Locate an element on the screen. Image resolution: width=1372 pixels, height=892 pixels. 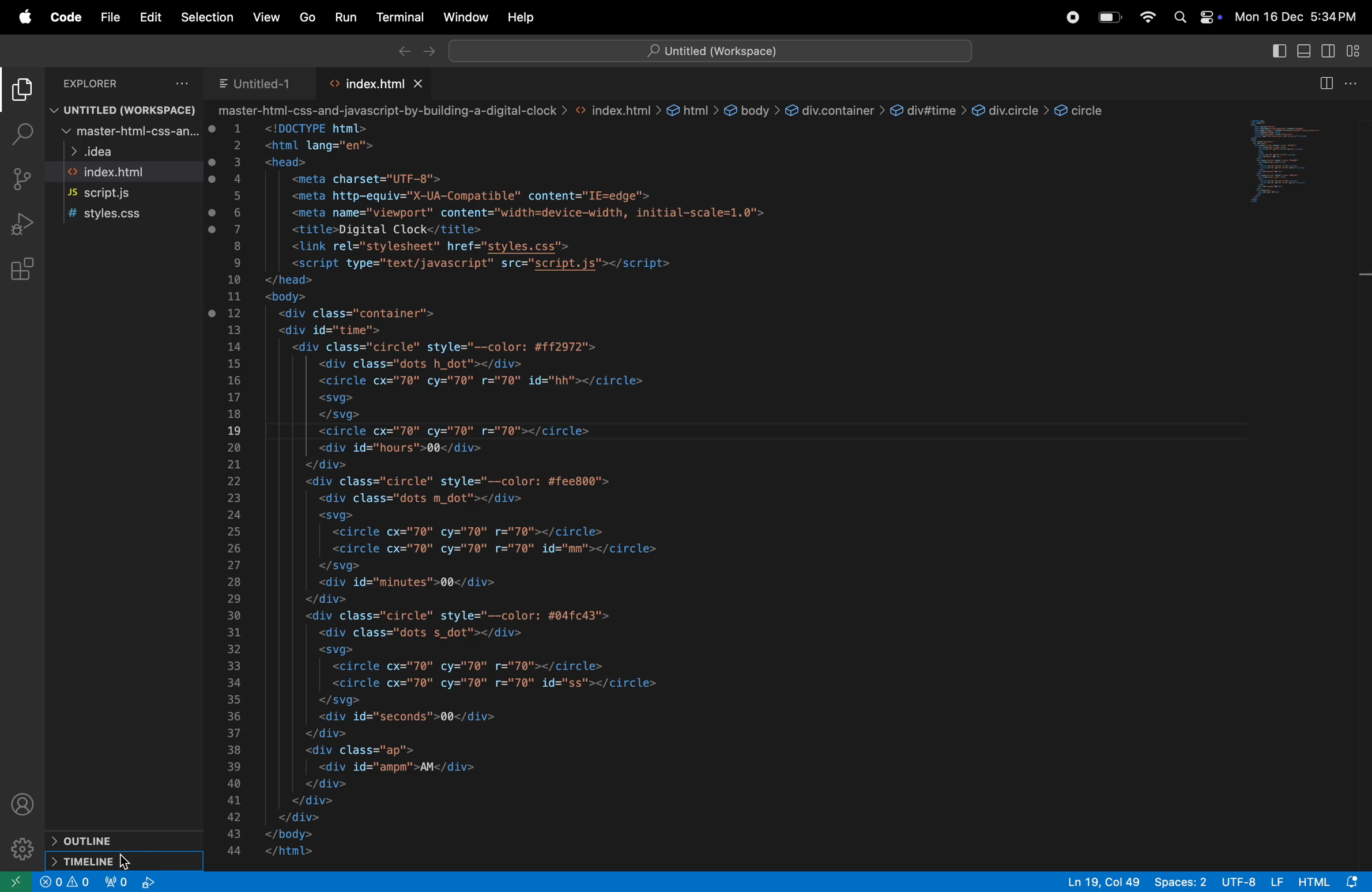
Edit is located at coordinates (149, 17).